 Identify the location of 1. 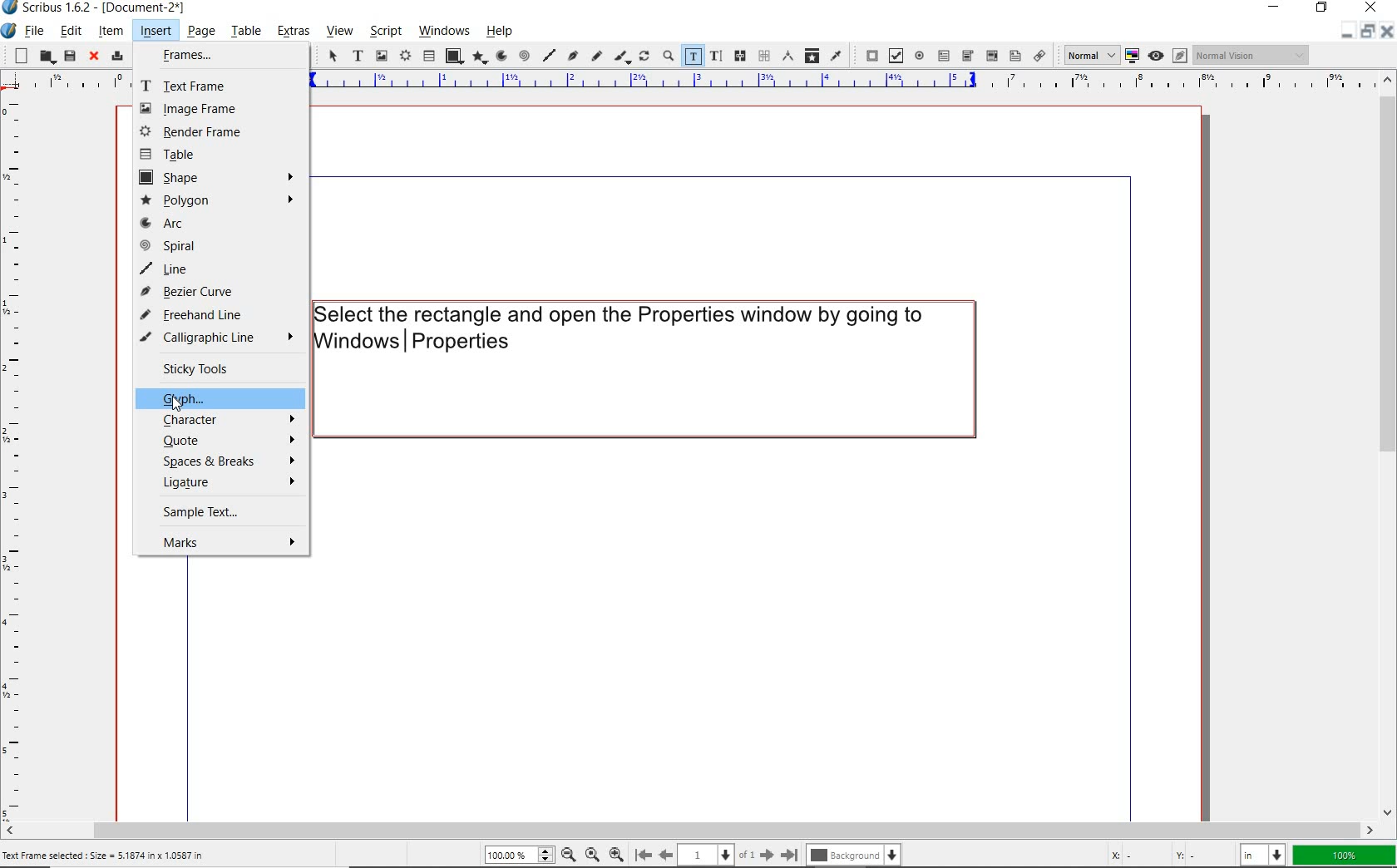
(706, 852).